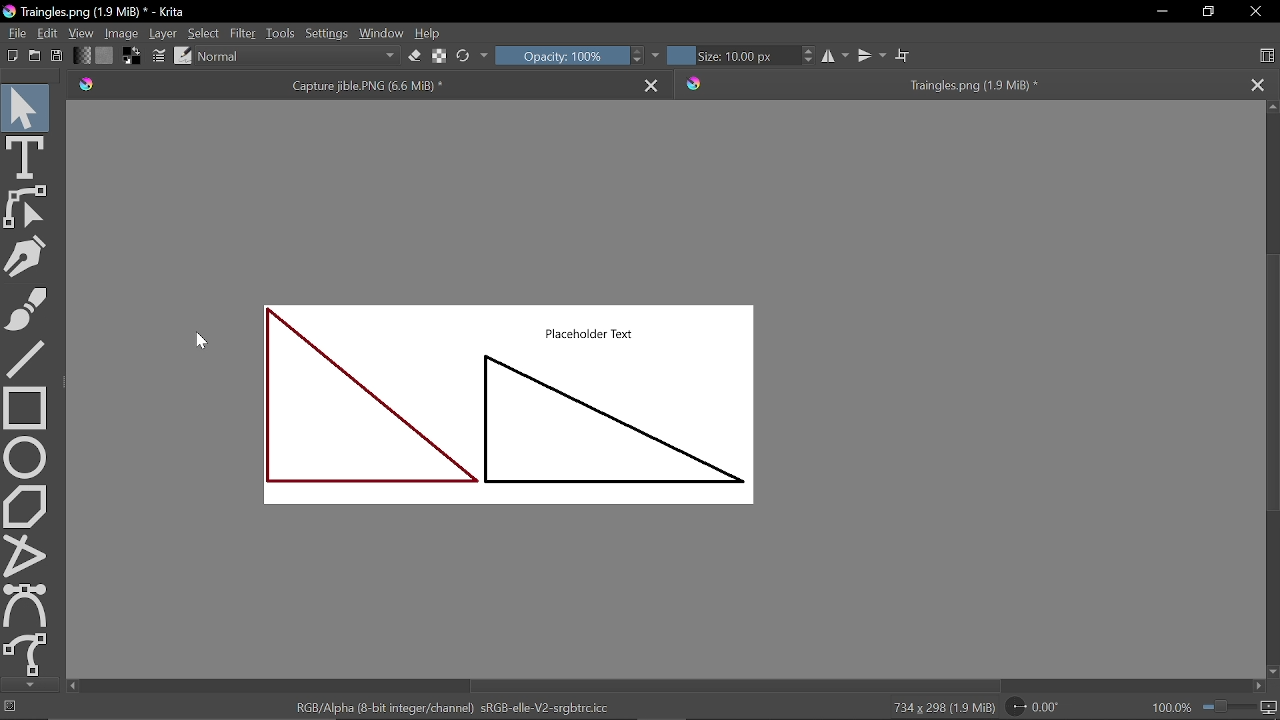  Describe the element at coordinates (1272, 389) in the screenshot. I see `Vertical scrollbar` at that location.